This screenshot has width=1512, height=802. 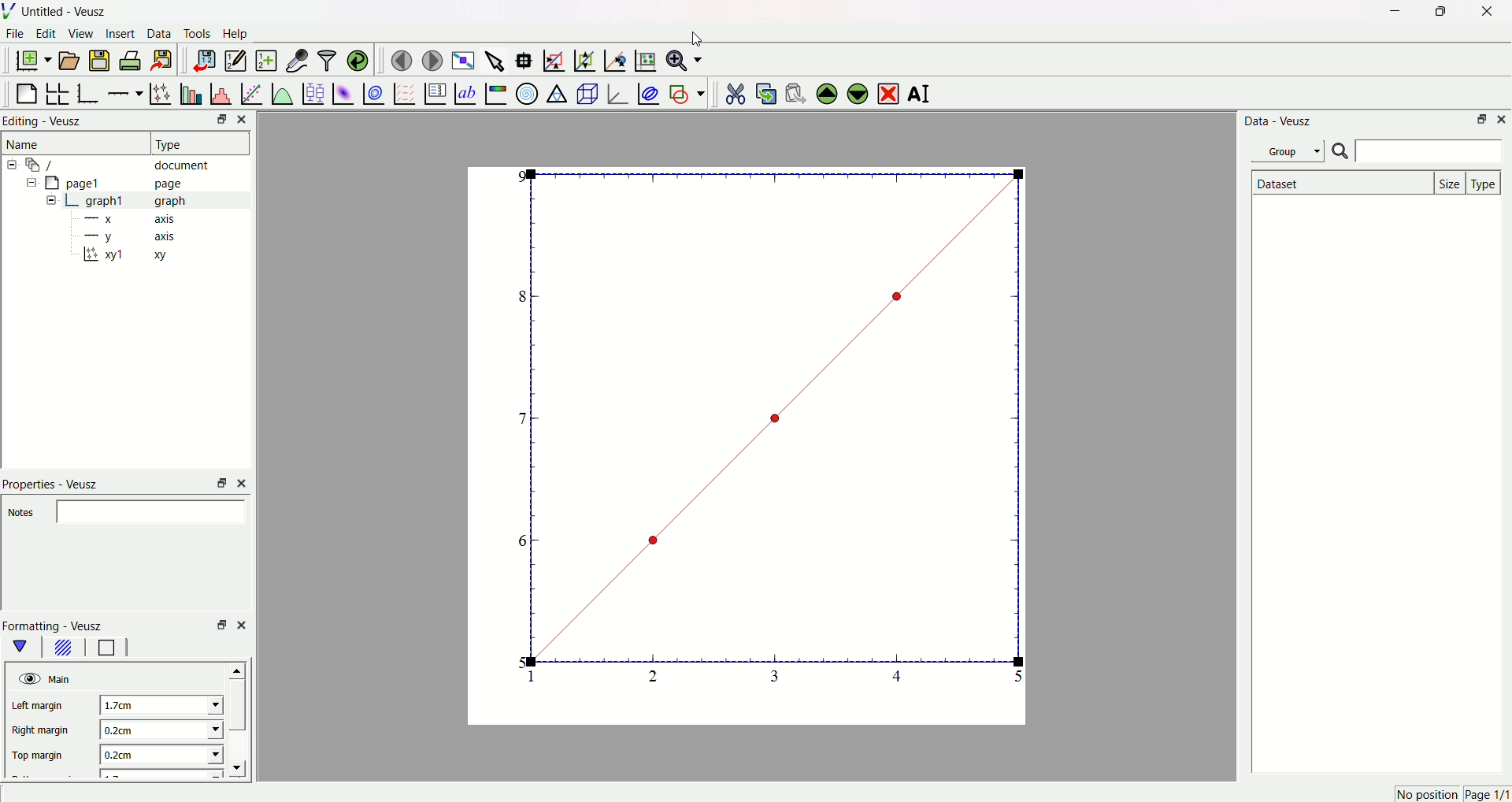 What do you see at coordinates (647, 91) in the screenshot?
I see `plot covariance ellipses` at bounding box center [647, 91].